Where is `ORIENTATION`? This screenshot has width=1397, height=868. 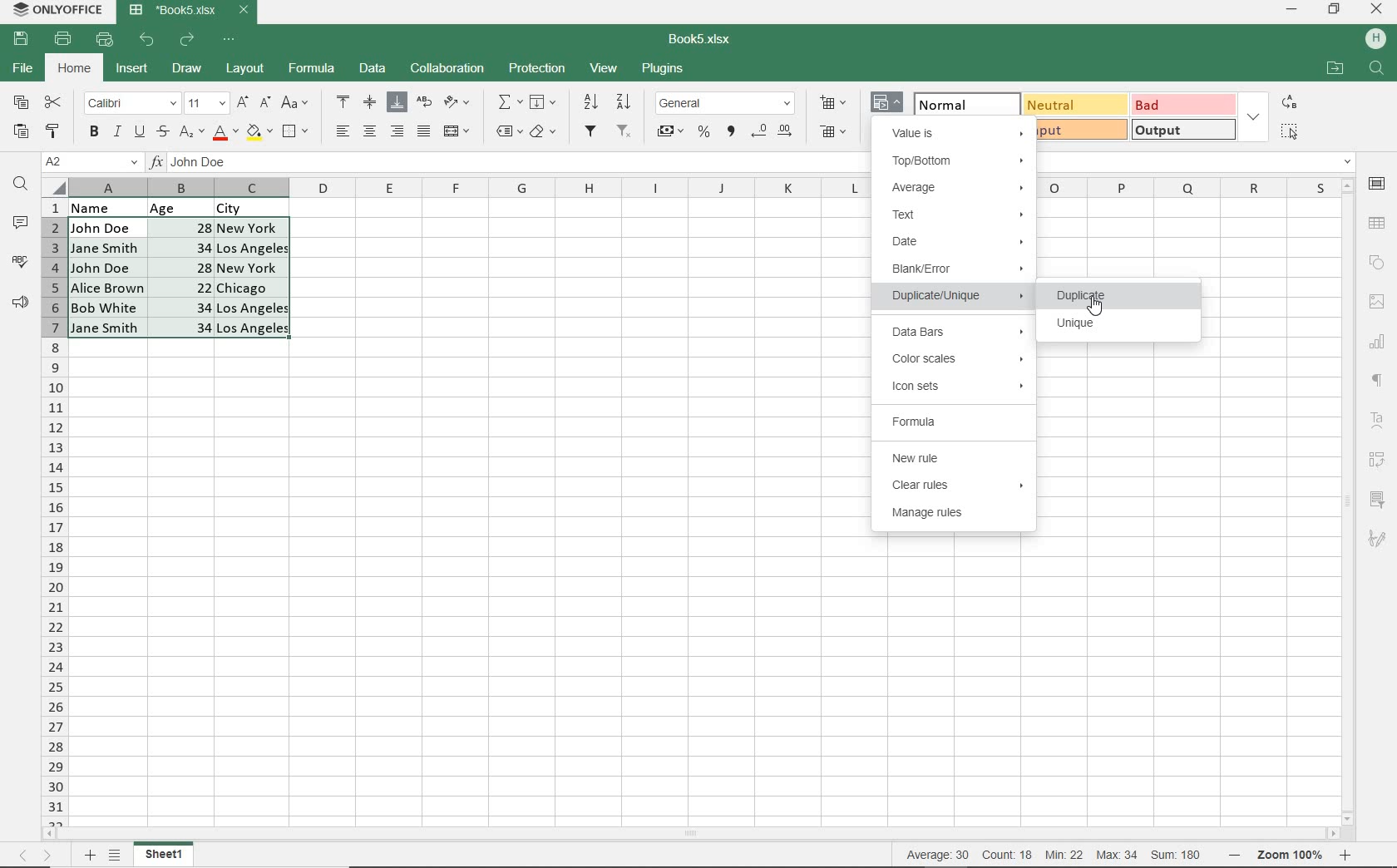 ORIENTATION is located at coordinates (458, 103).